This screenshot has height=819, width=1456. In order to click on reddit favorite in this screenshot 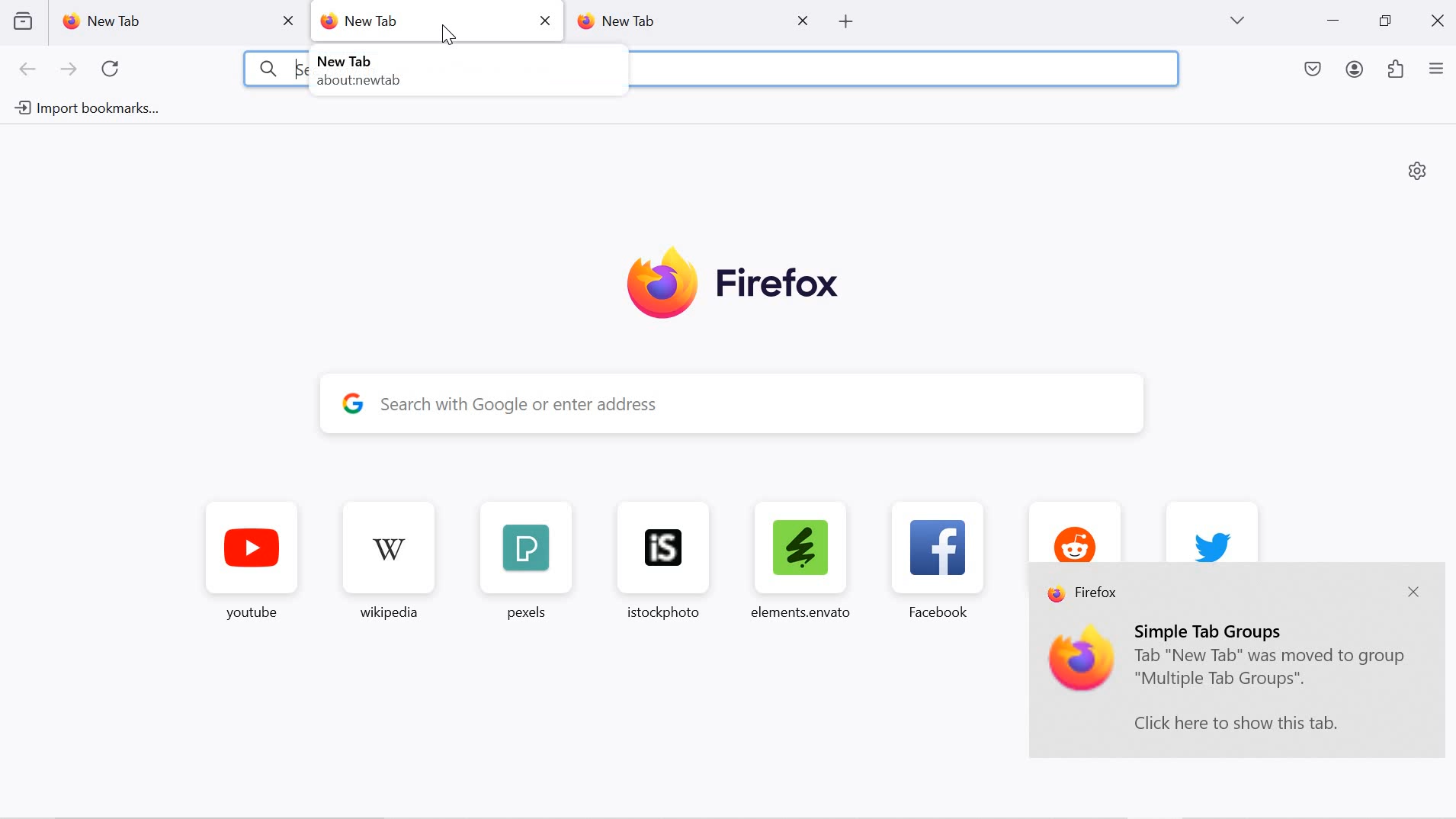, I will do `click(1071, 530)`.